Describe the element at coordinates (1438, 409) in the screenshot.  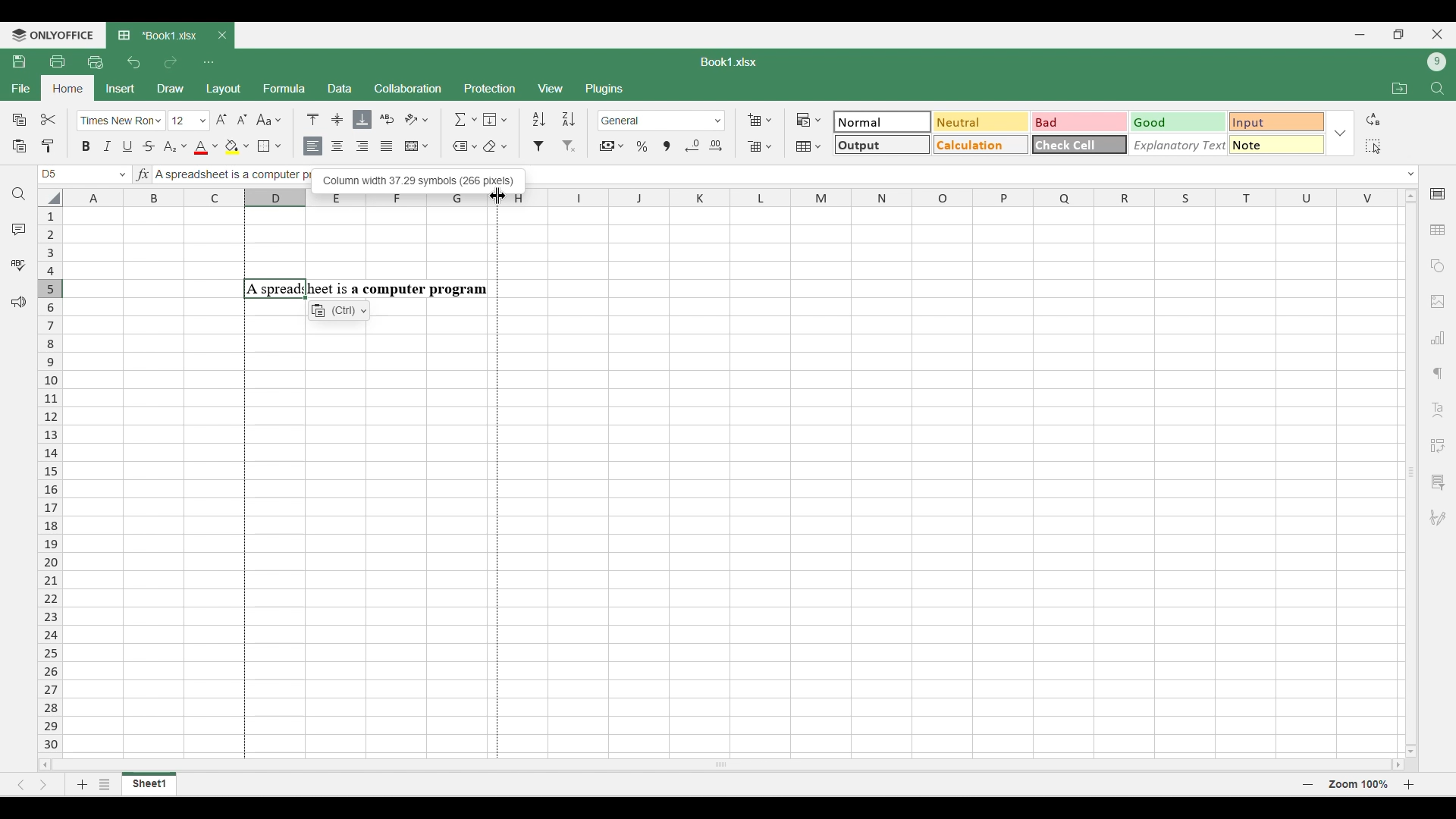
I see `Text alignment` at that location.